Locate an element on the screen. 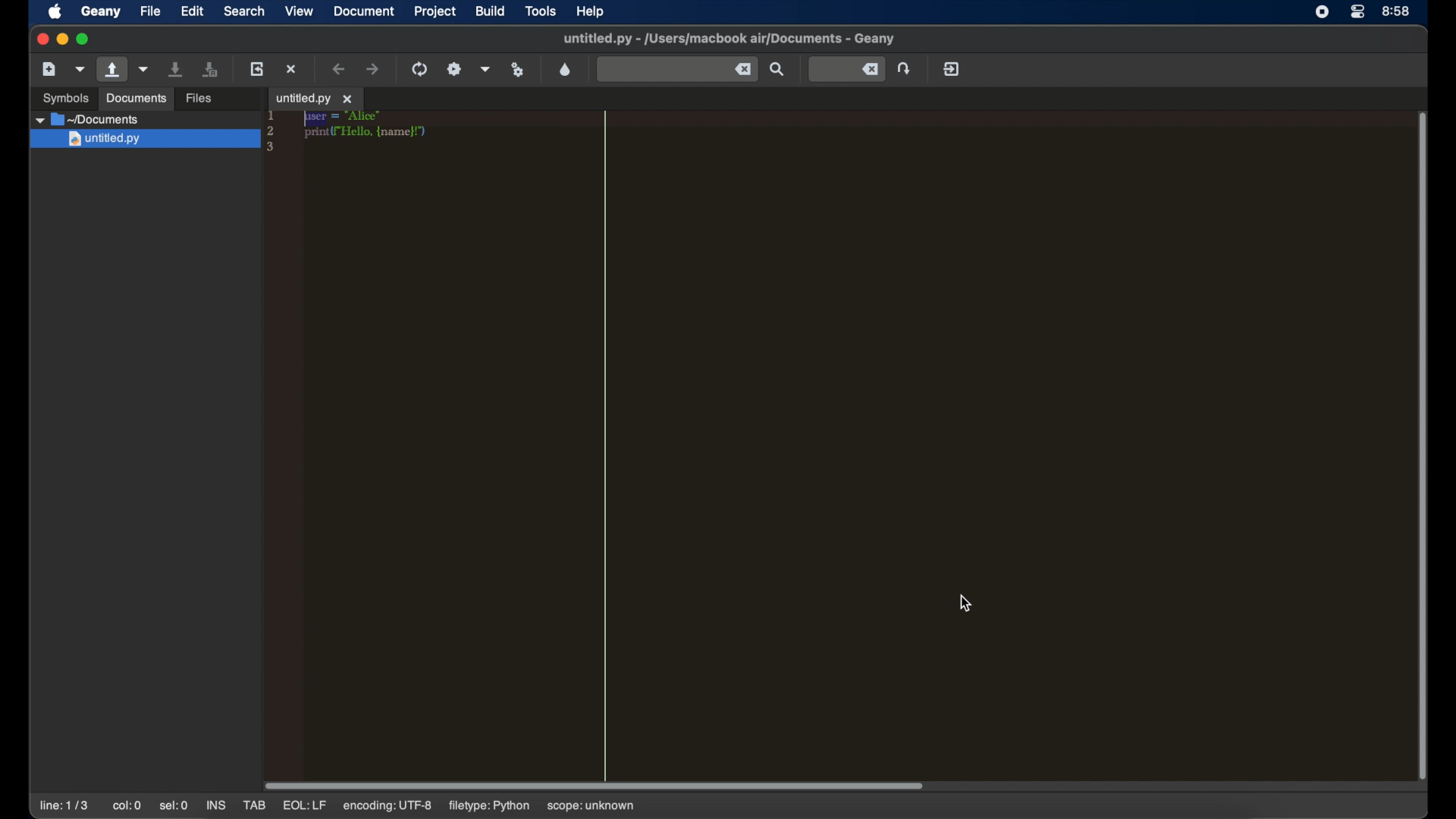  find the entered text in current file is located at coordinates (676, 68).